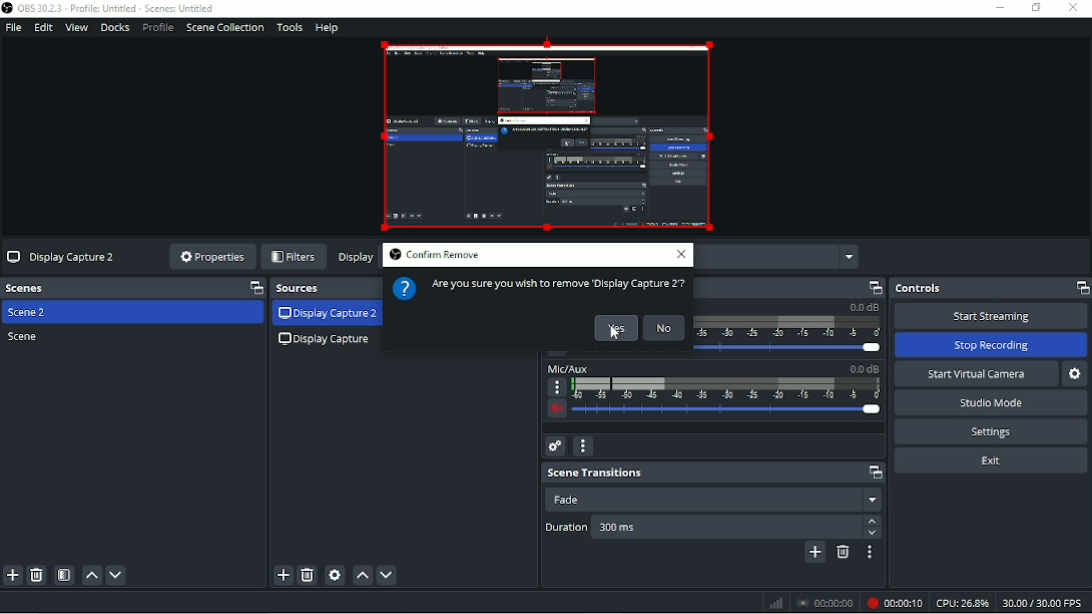  What do you see at coordinates (712, 526) in the screenshot?
I see `Duration` at bounding box center [712, 526].